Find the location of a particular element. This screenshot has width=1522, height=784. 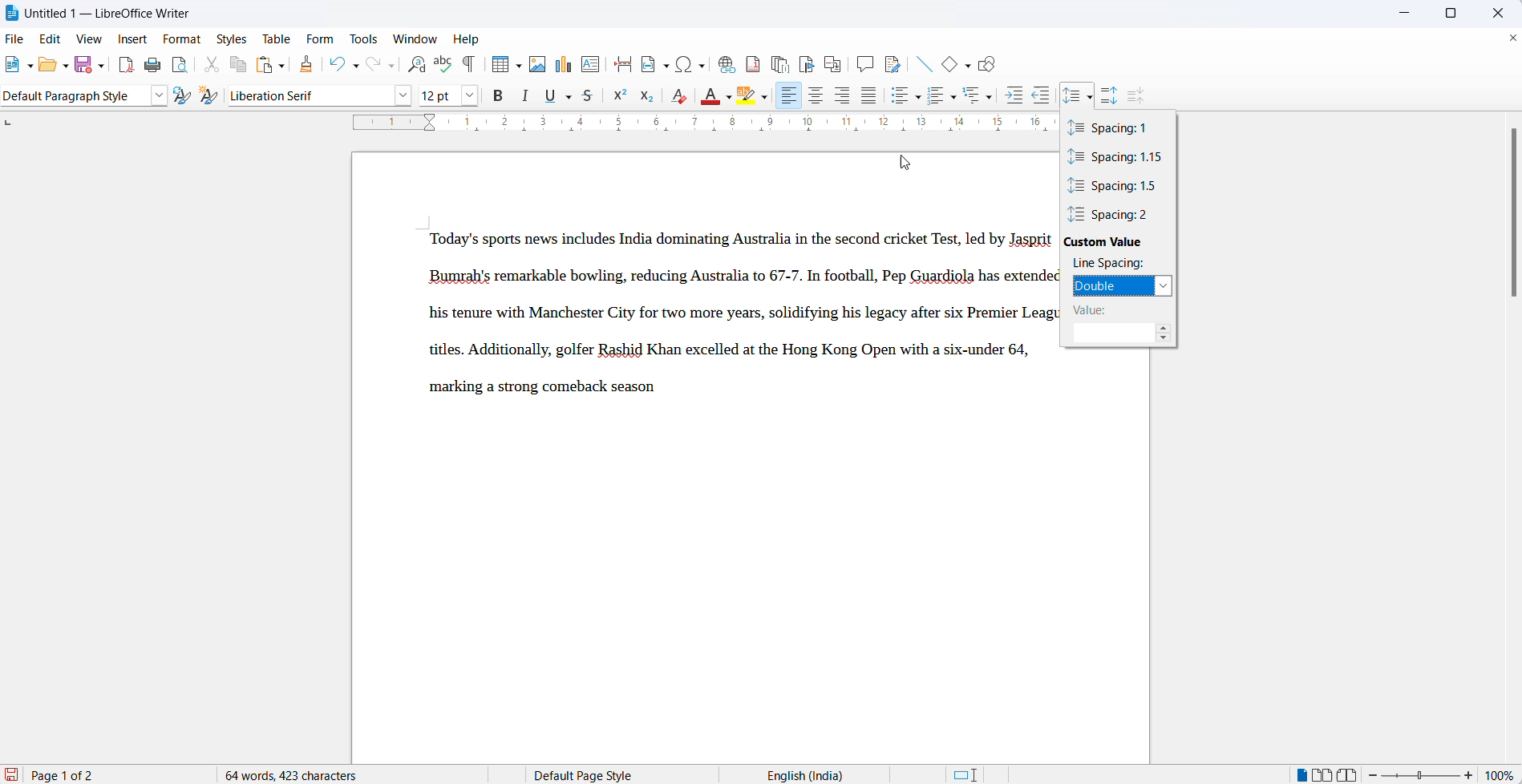

view is located at coordinates (94, 38).